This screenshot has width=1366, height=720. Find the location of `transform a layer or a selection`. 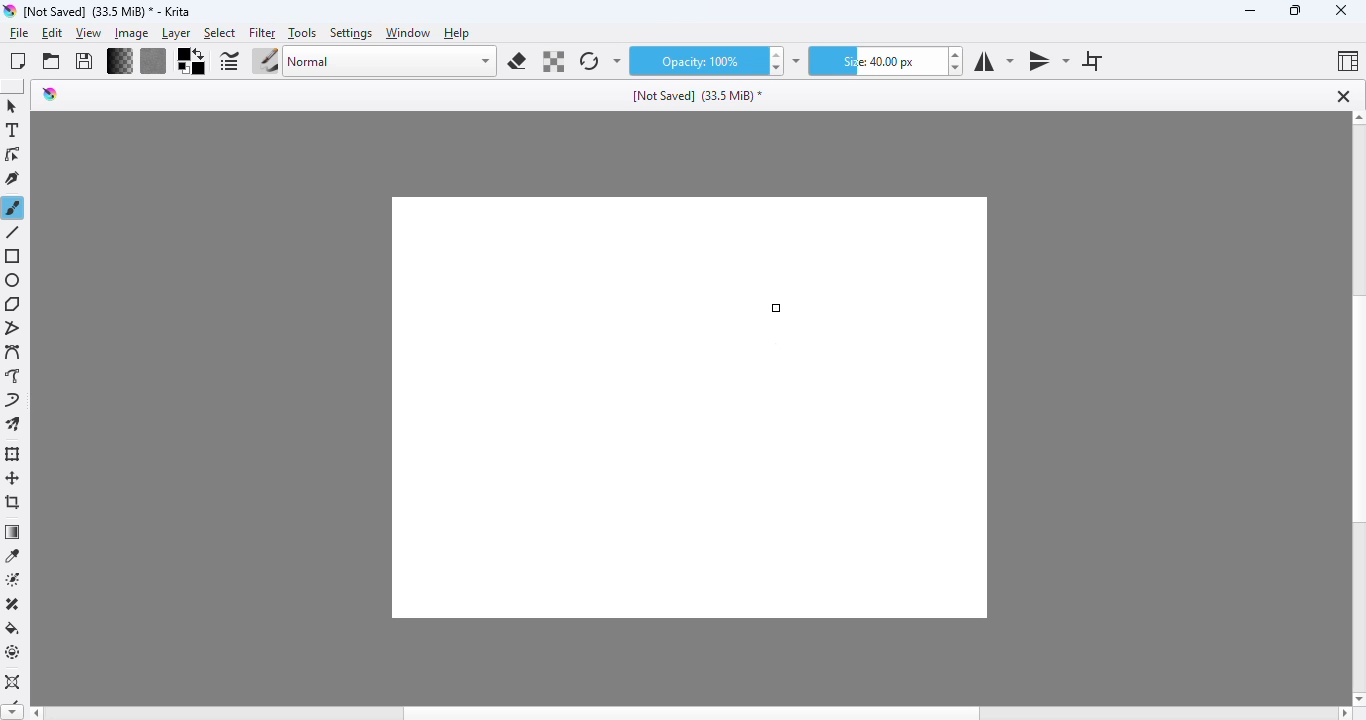

transform a layer or a selection is located at coordinates (13, 453).